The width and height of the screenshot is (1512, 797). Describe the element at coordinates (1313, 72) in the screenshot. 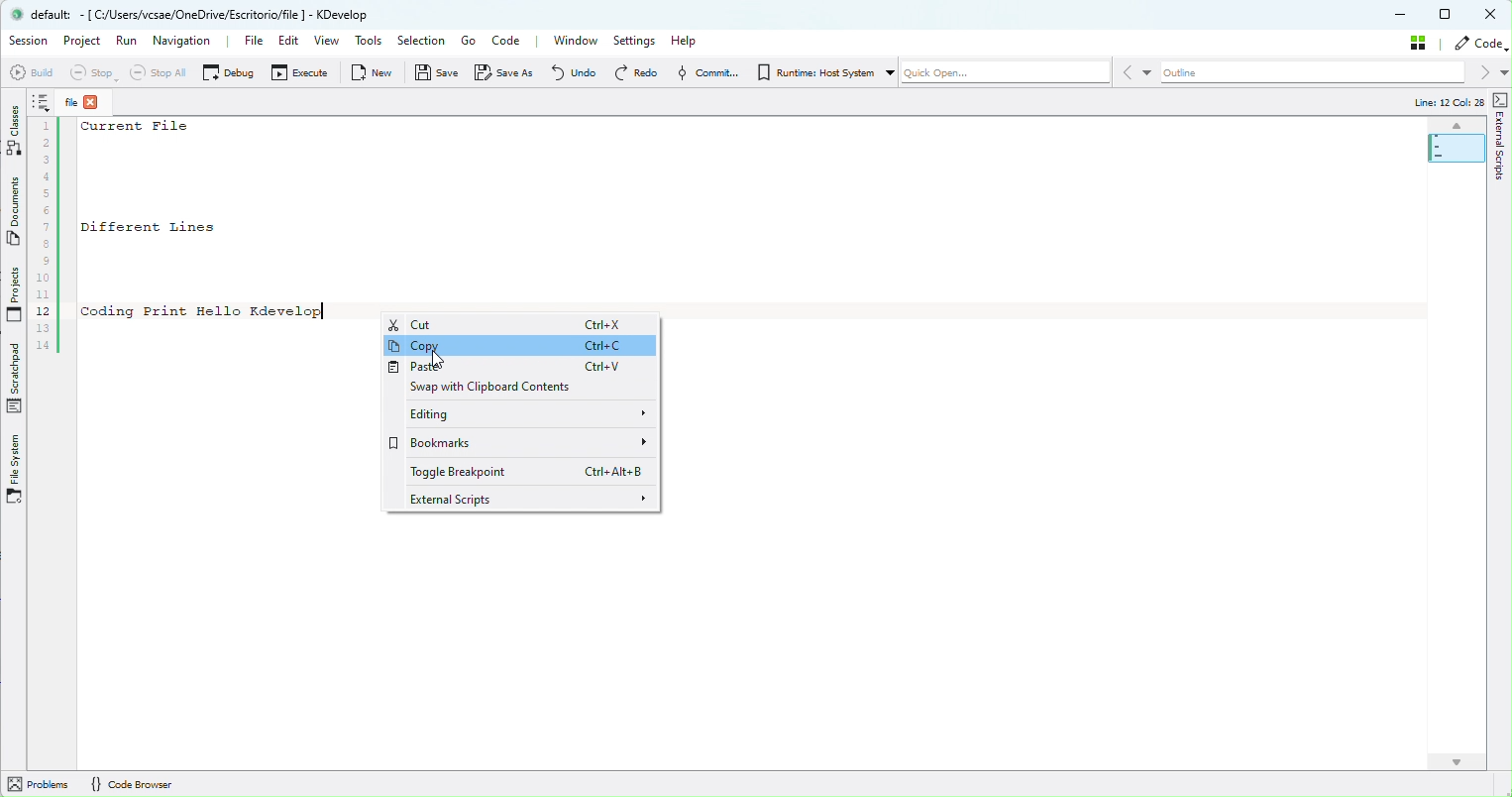

I see `Outline` at that location.